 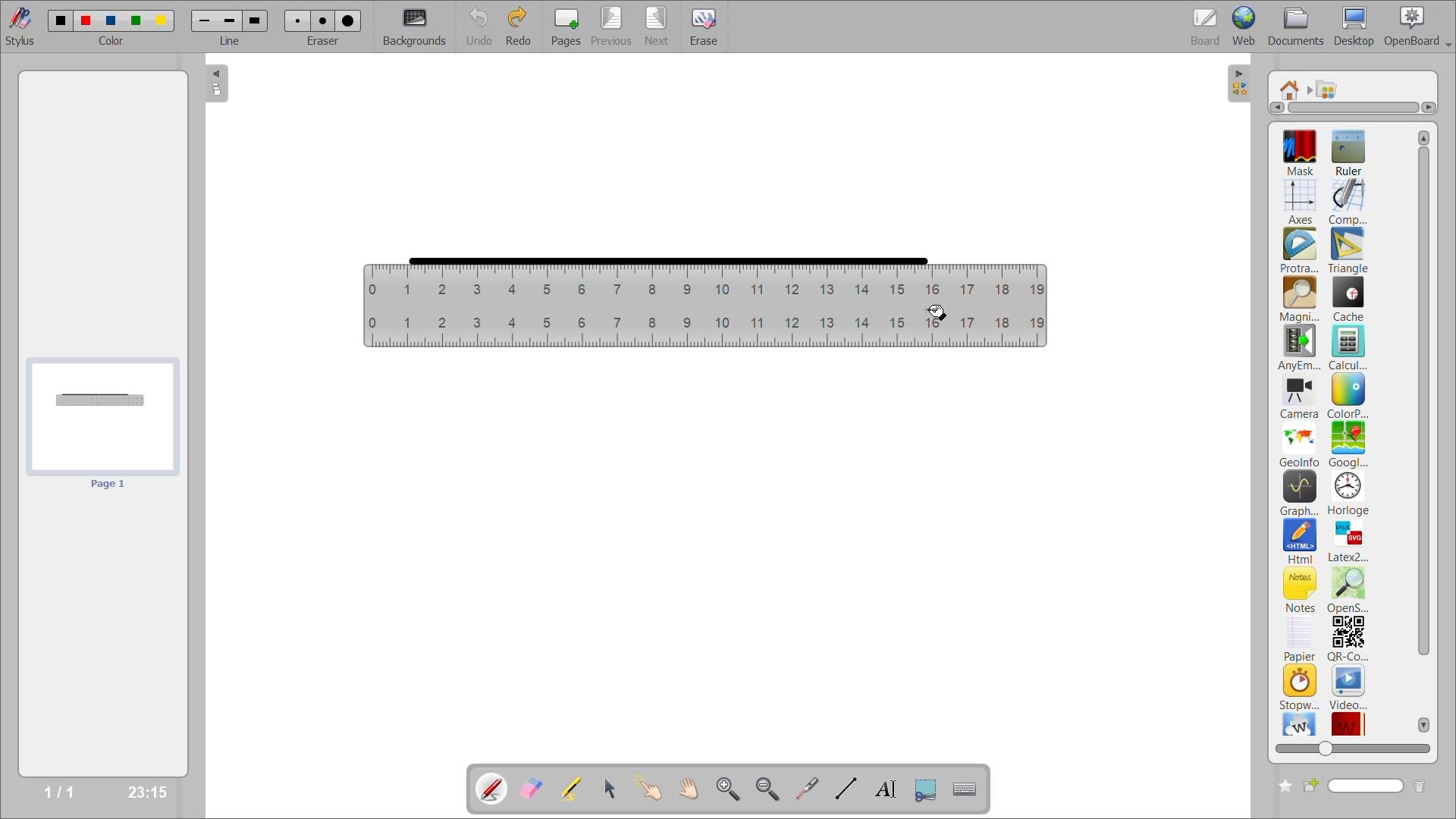 What do you see at coordinates (689, 787) in the screenshot?
I see `scroll page` at bounding box center [689, 787].